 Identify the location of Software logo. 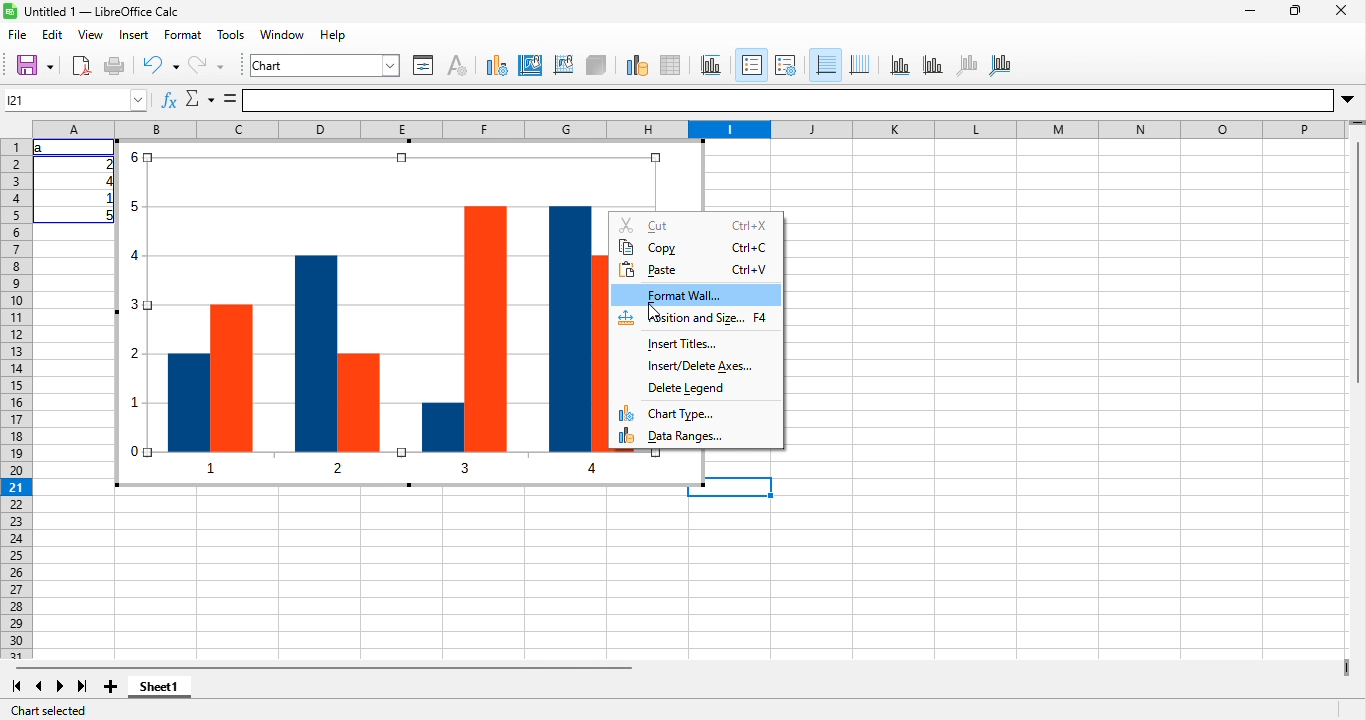
(10, 11).